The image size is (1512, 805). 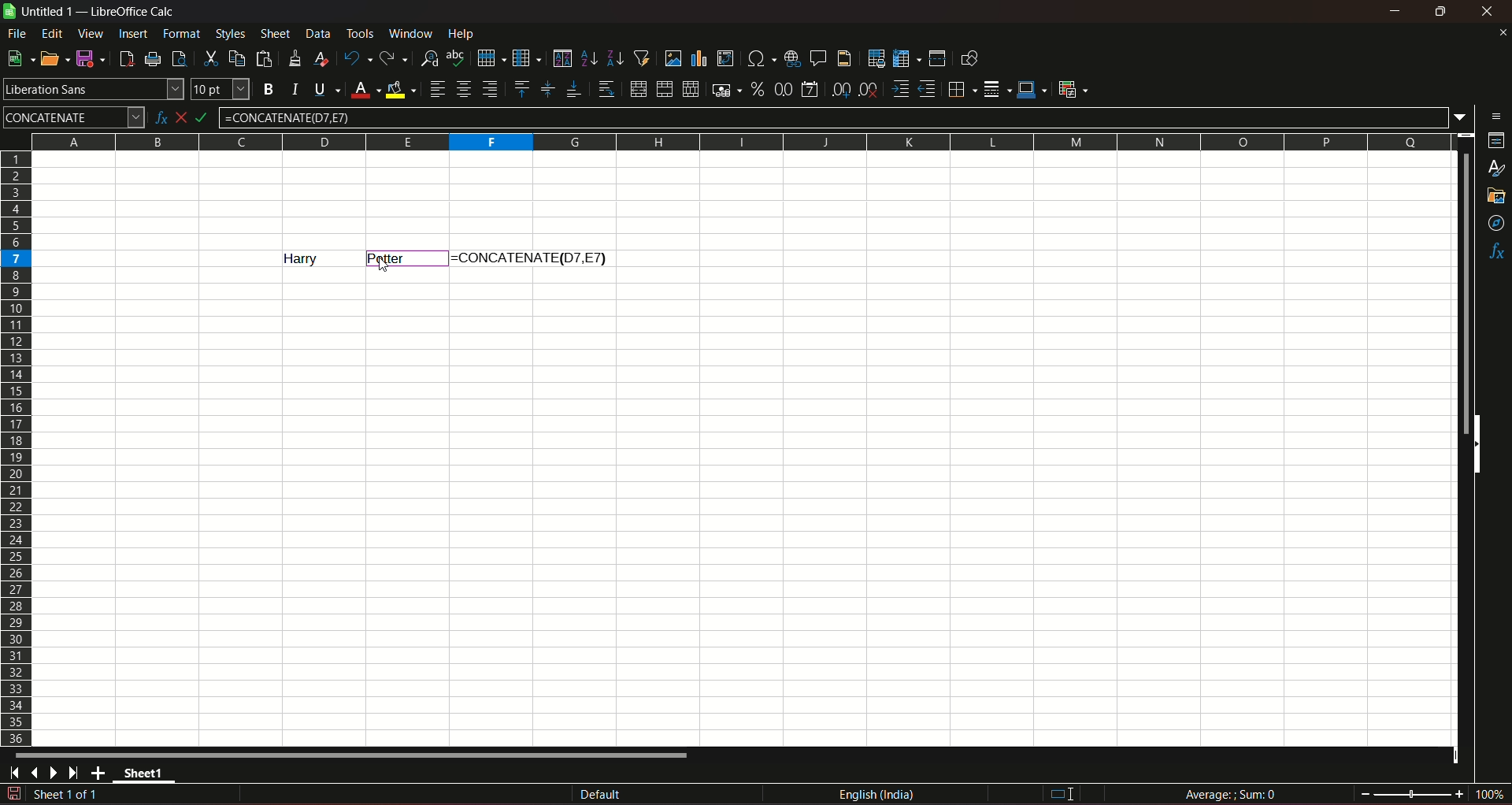 I want to click on italic, so click(x=295, y=88).